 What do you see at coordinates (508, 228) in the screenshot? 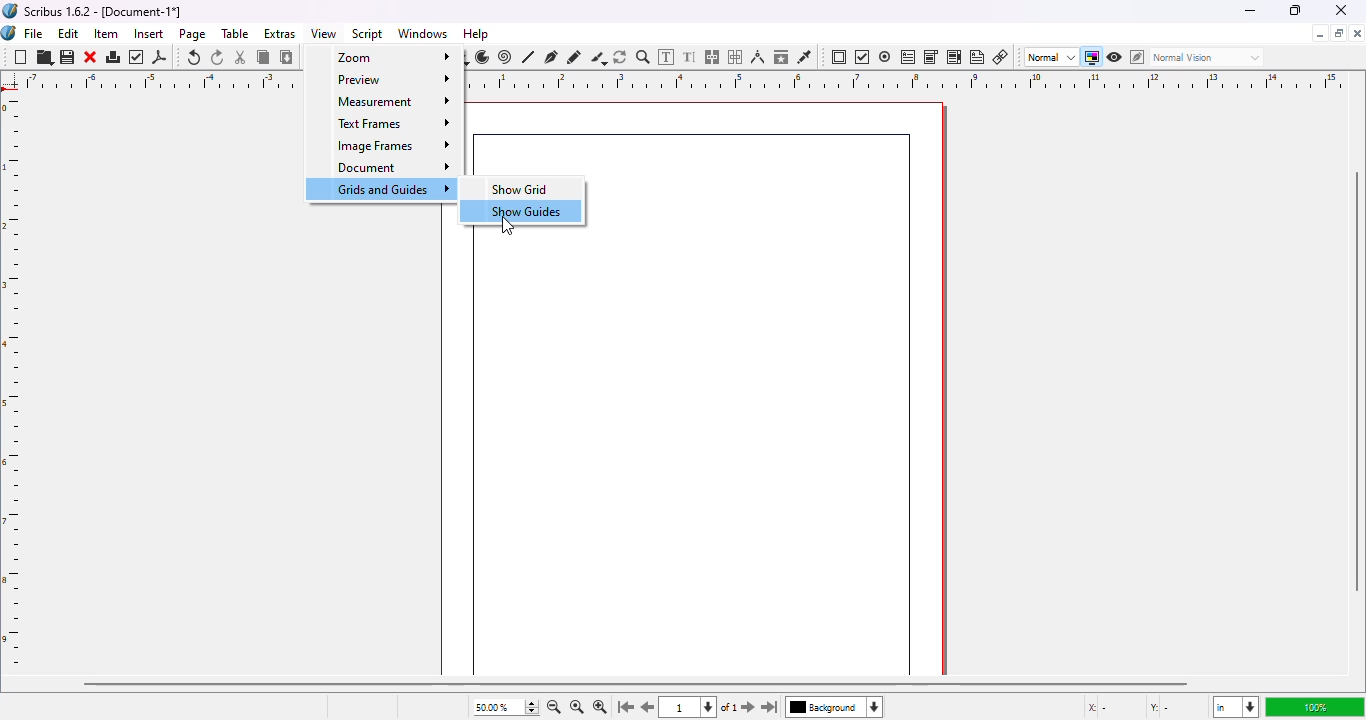
I see `cursor` at bounding box center [508, 228].